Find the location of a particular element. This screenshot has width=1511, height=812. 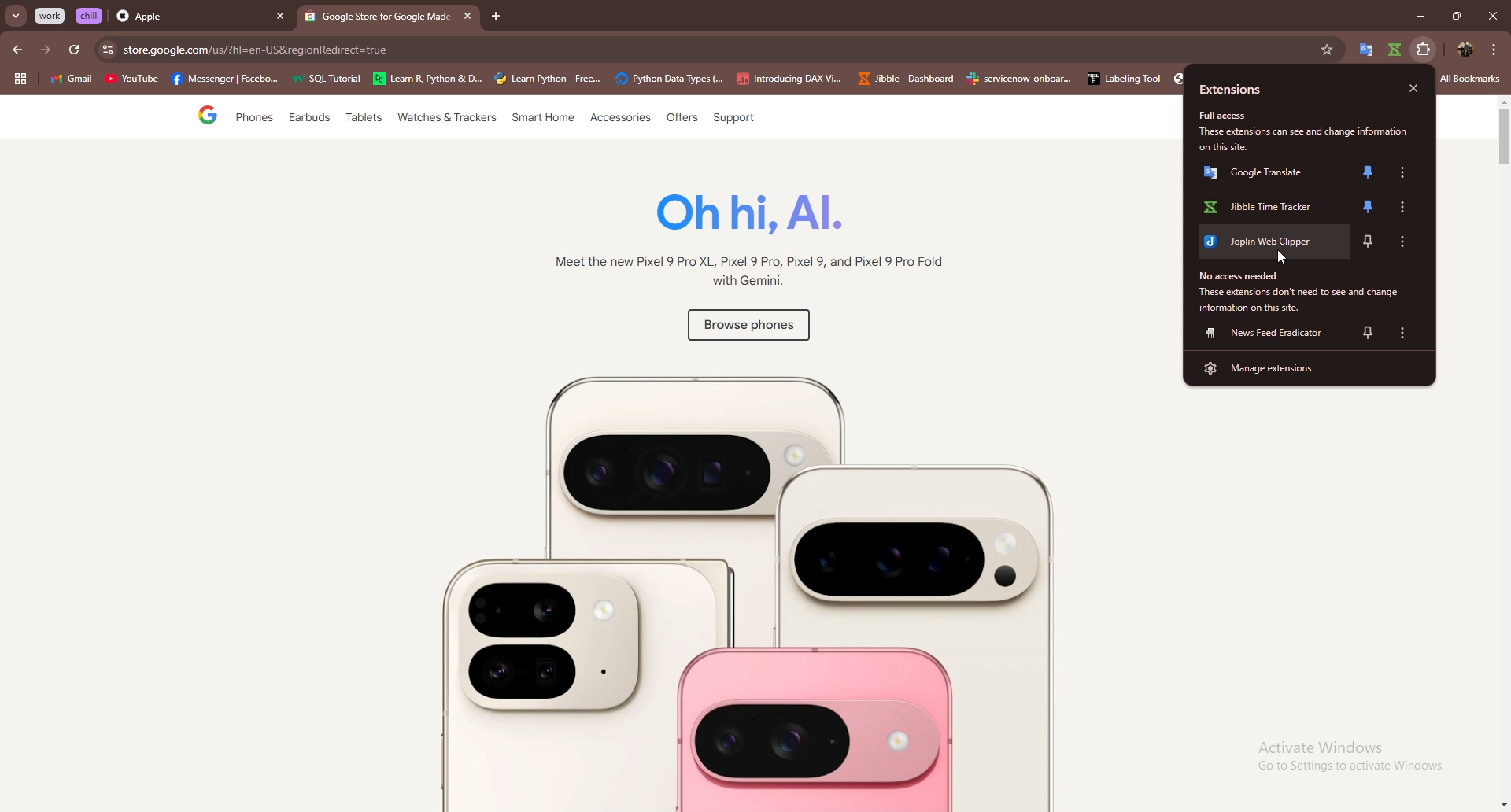

Oh ni, Al.
Meet the new Pixel 9 Pro XL, Pixel 9 Pro, Pixel 9, and Pixel 9 Pro Fold
with Gemini. is located at coordinates (740, 244).